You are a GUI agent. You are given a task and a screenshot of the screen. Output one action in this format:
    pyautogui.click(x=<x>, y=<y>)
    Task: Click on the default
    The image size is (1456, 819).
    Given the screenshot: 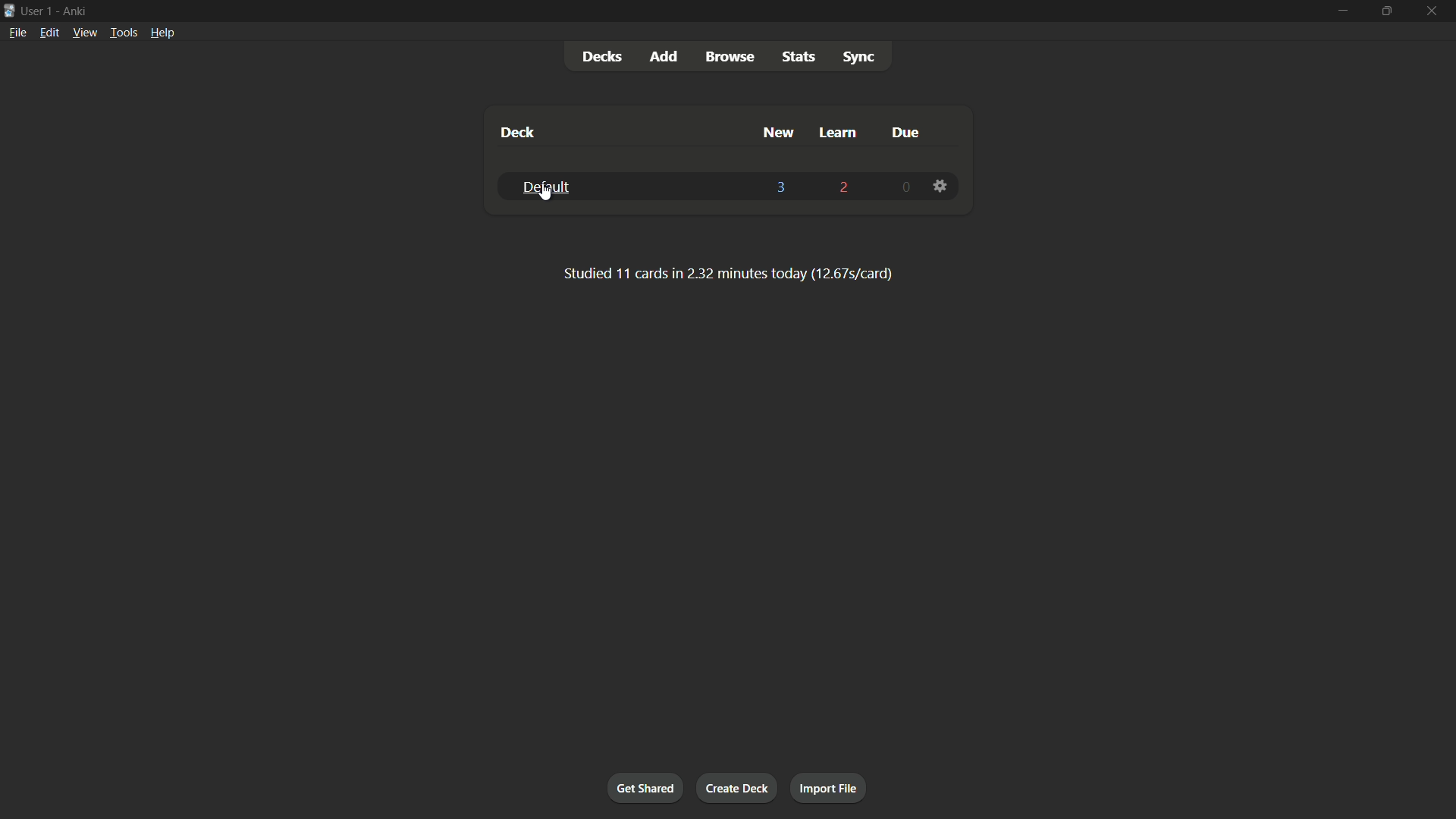 What is the action you would take?
    pyautogui.click(x=543, y=186)
    